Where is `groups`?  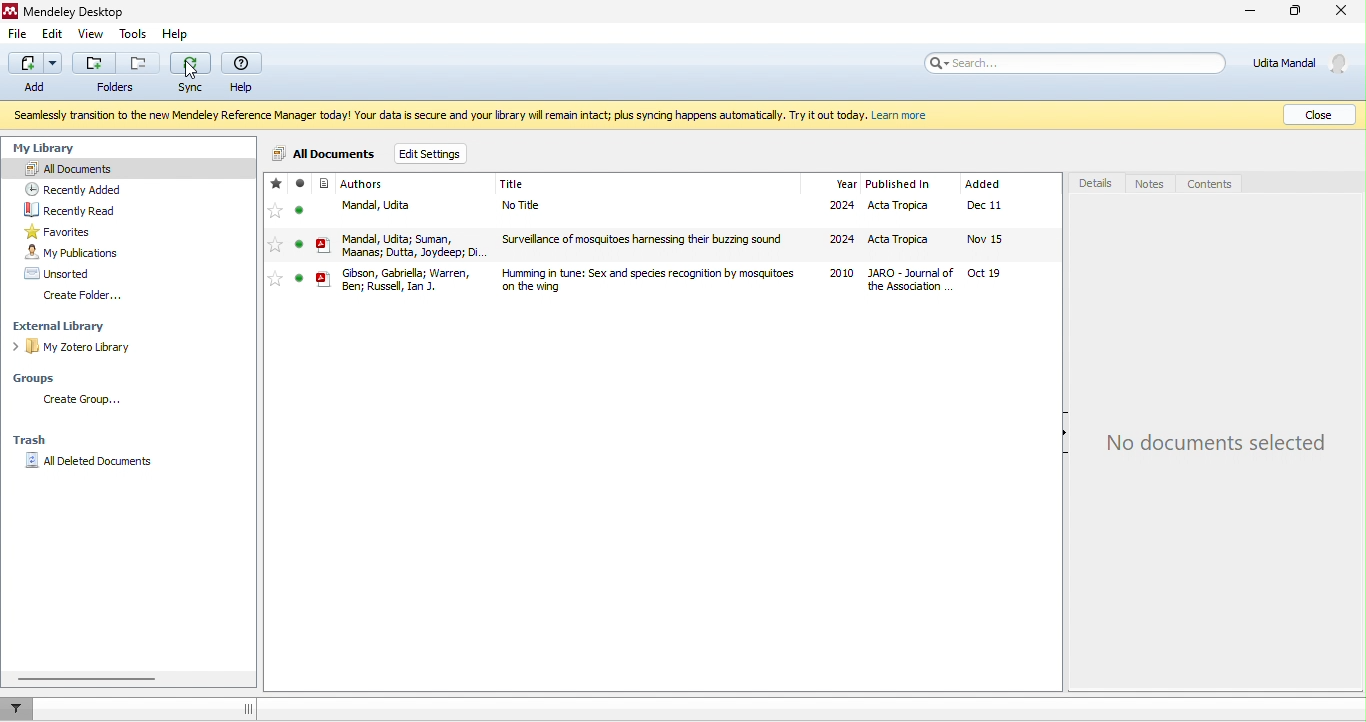 groups is located at coordinates (44, 378).